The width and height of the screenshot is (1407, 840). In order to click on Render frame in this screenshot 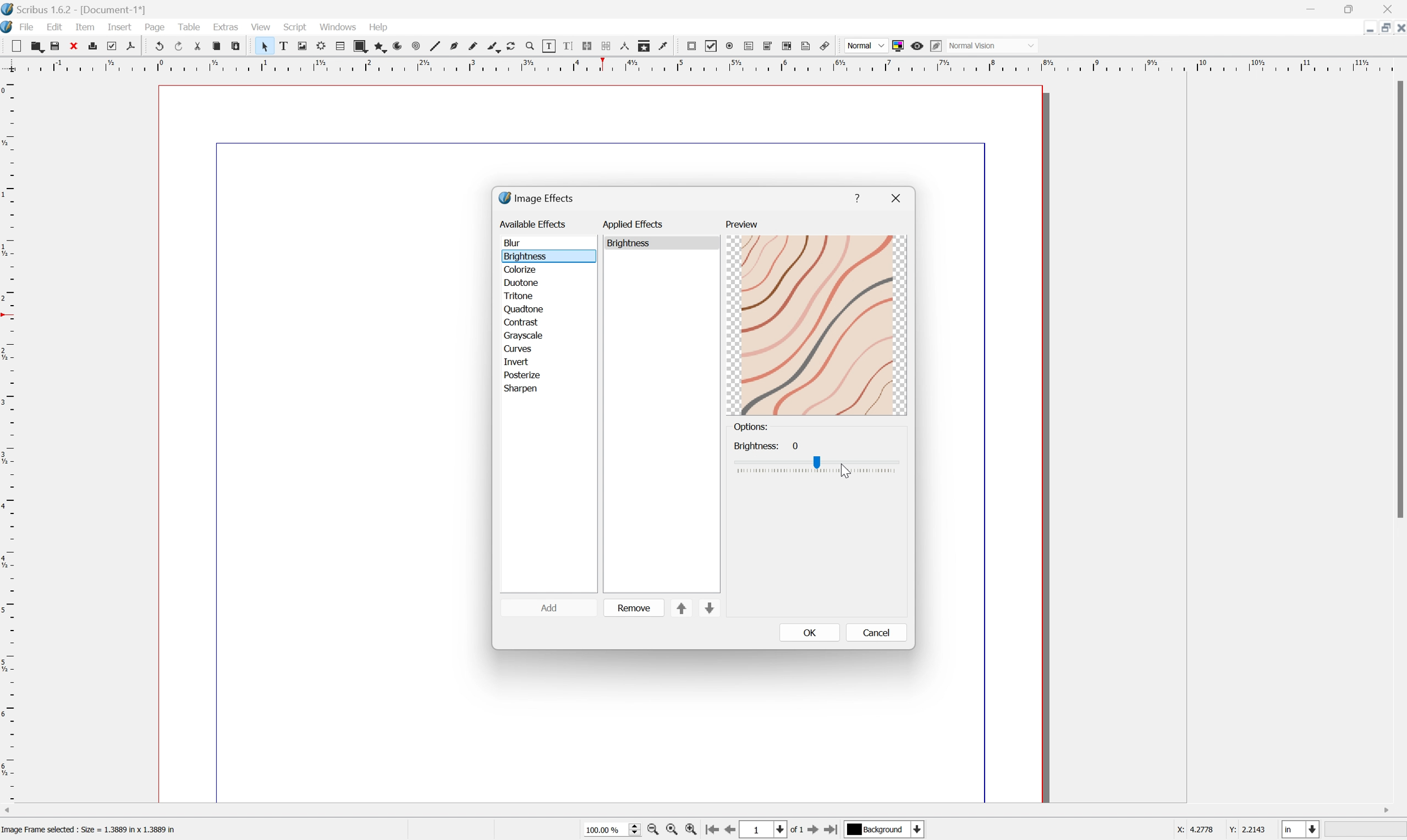, I will do `click(322, 46)`.